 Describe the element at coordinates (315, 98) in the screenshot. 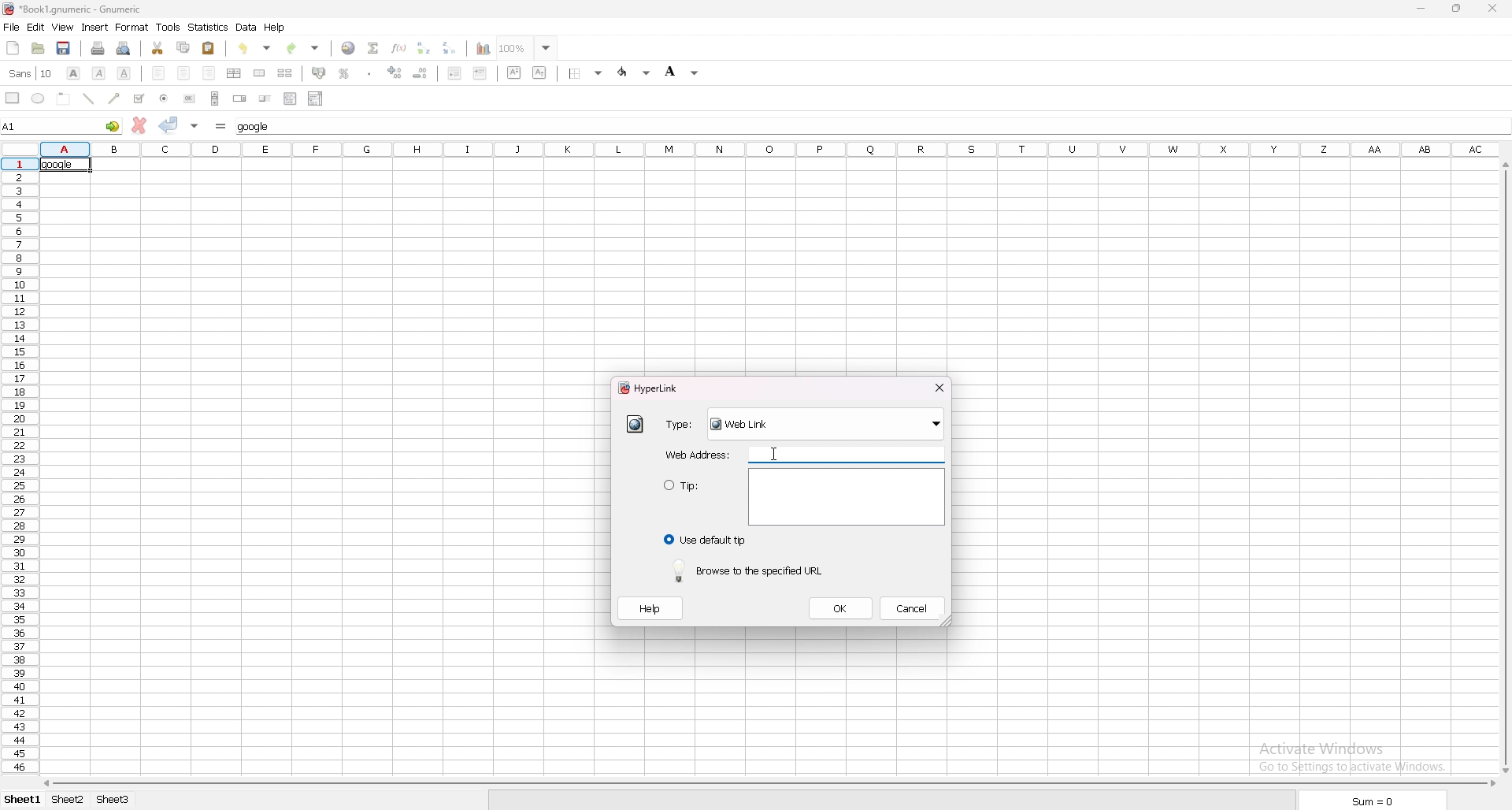

I see `combo box` at that location.